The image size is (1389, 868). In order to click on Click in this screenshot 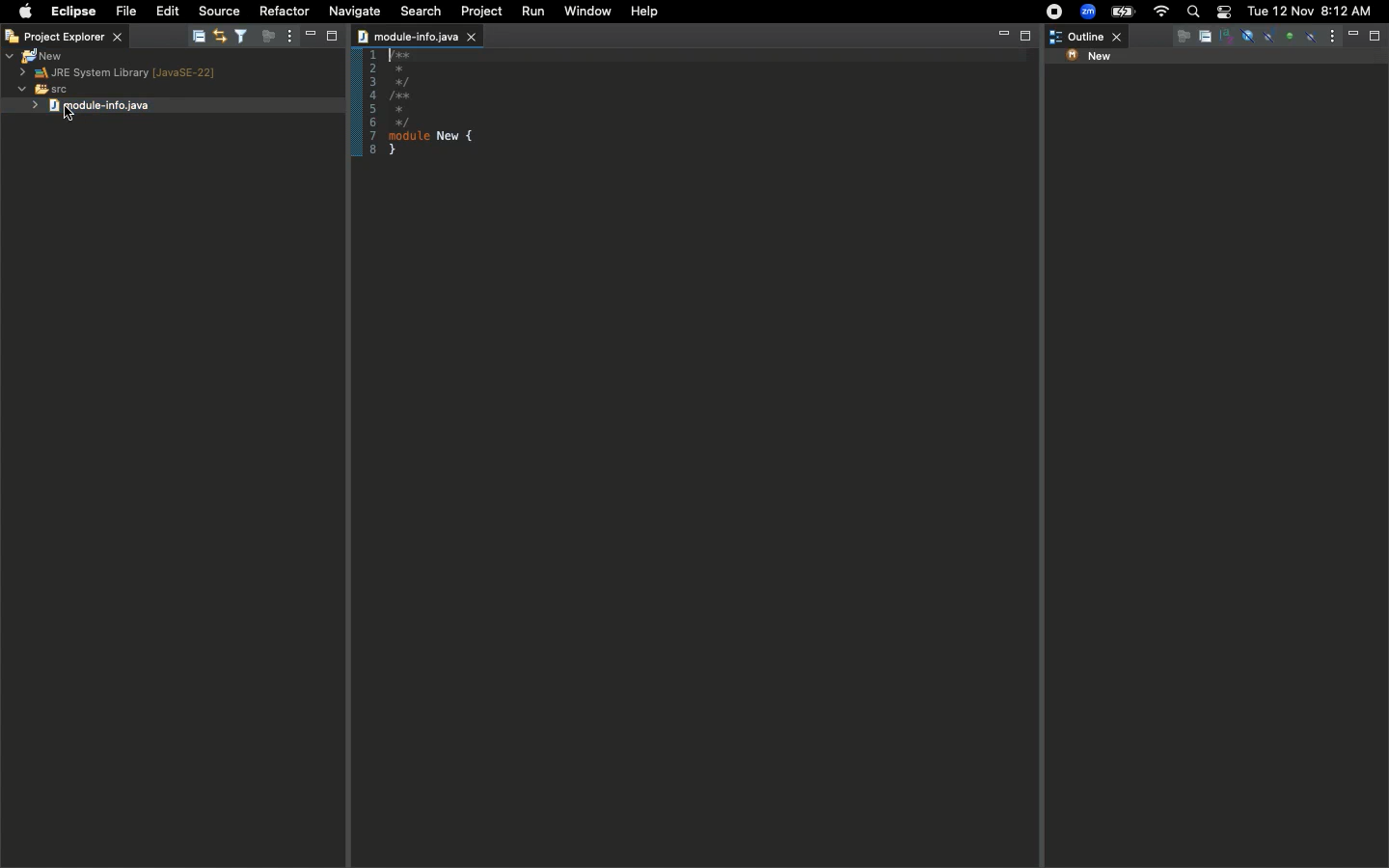, I will do `click(100, 108)`.